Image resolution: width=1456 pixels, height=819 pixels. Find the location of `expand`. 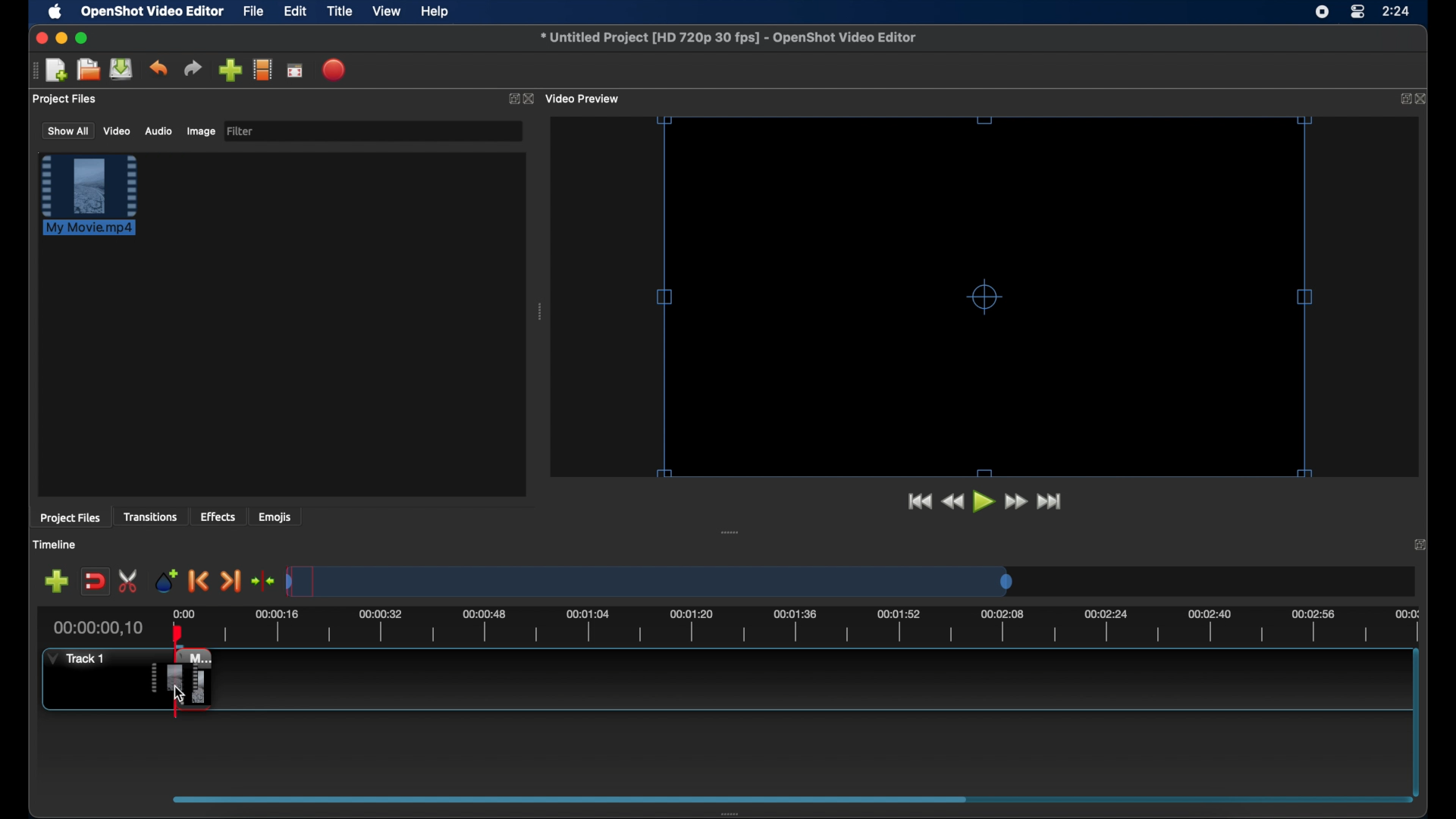

expand is located at coordinates (1403, 99).